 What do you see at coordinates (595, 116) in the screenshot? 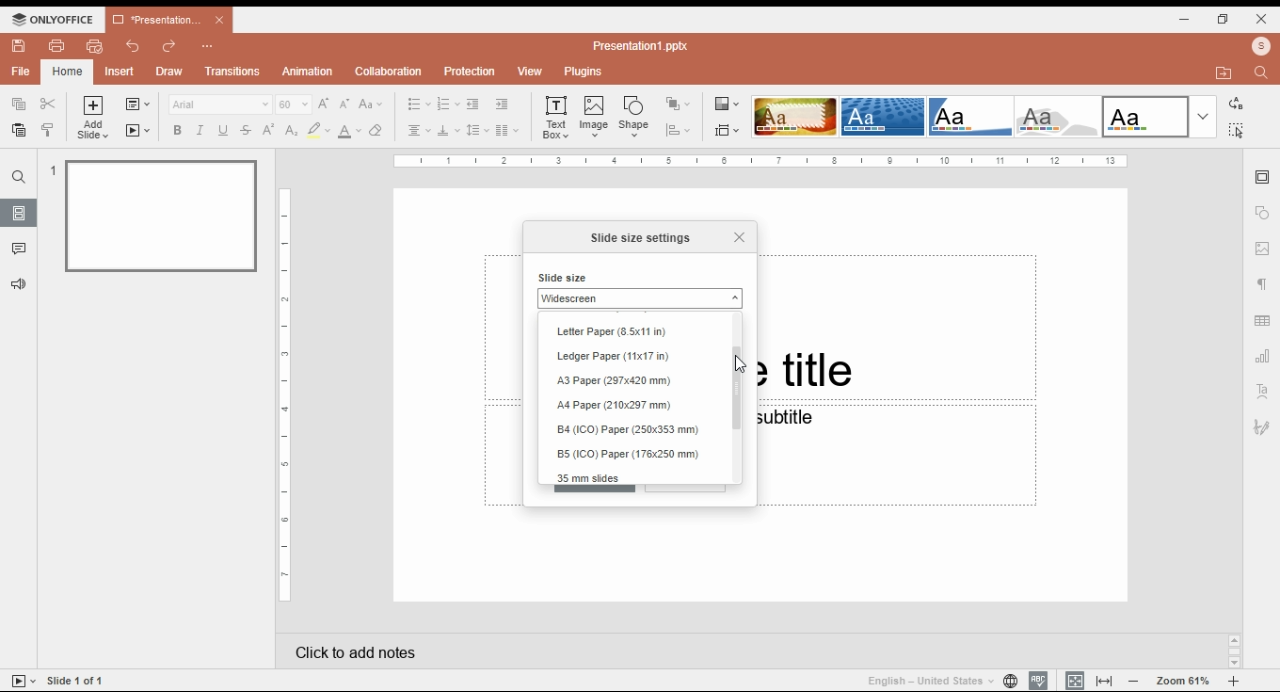
I see `insert image` at bounding box center [595, 116].